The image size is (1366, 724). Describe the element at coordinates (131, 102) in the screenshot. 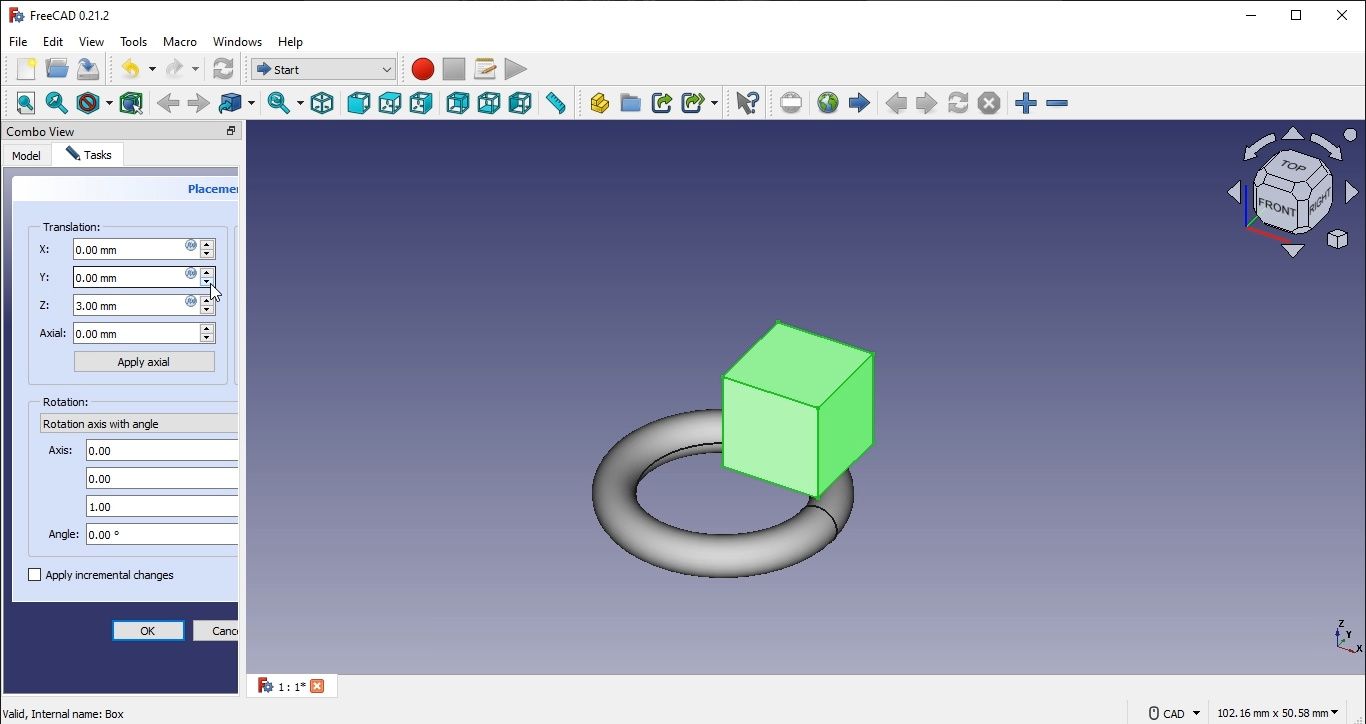

I see `bounding box` at that location.